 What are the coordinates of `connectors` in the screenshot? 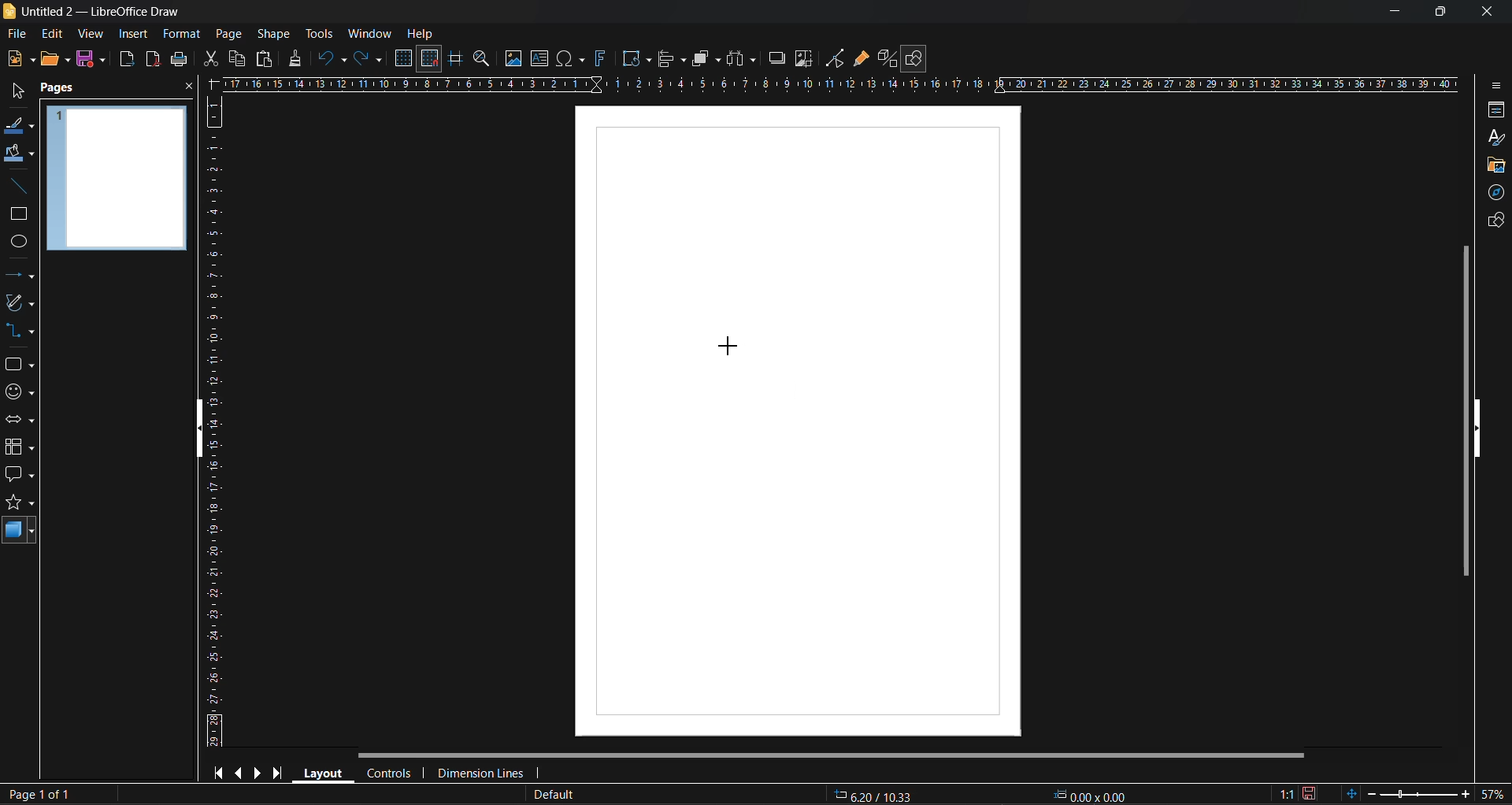 It's located at (20, 332).